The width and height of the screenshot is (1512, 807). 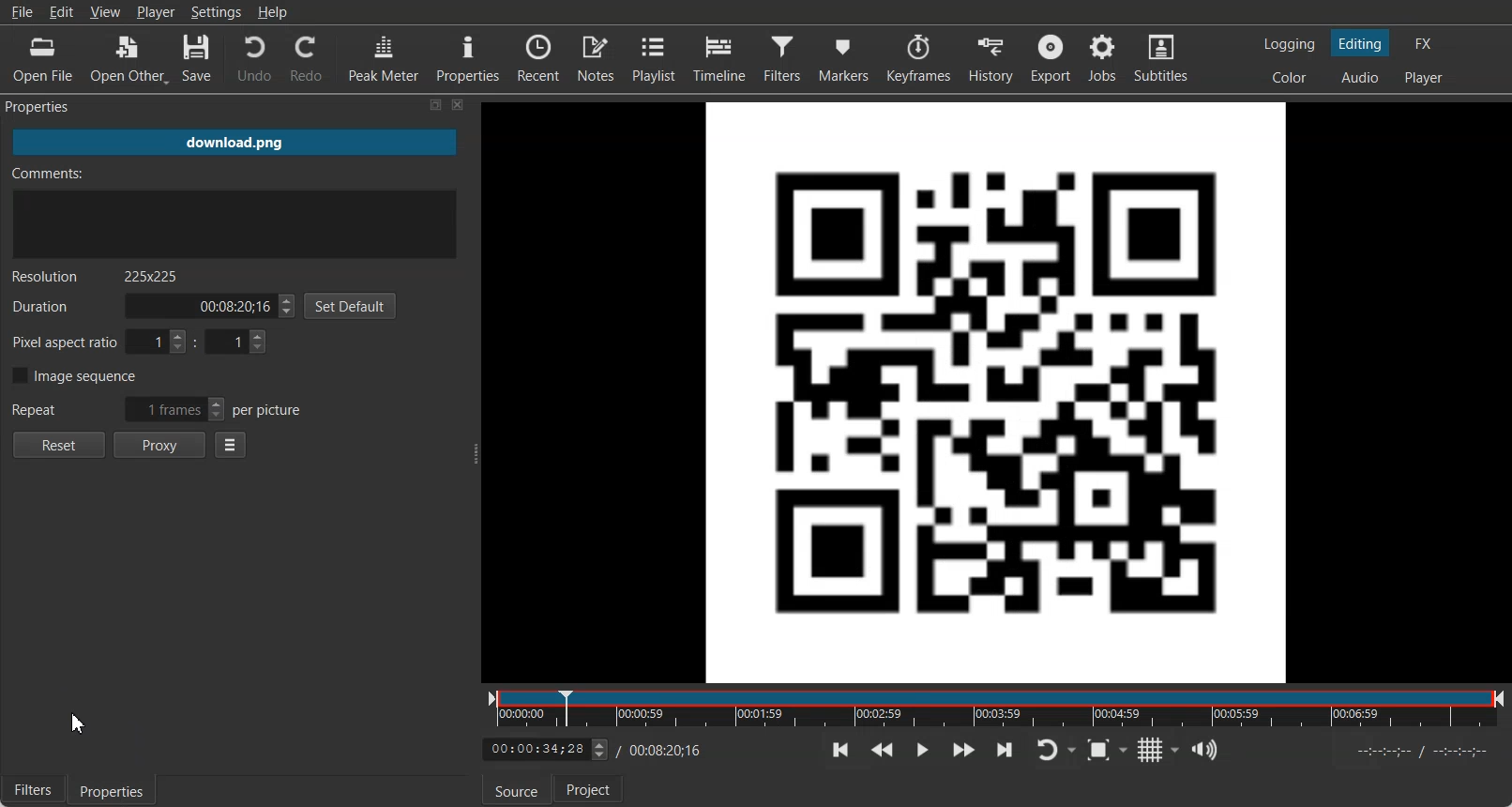 What do you see at coordinates (996, 708) in the screenshot?
I see `Time Line slider` at bounding box center [996, 708].